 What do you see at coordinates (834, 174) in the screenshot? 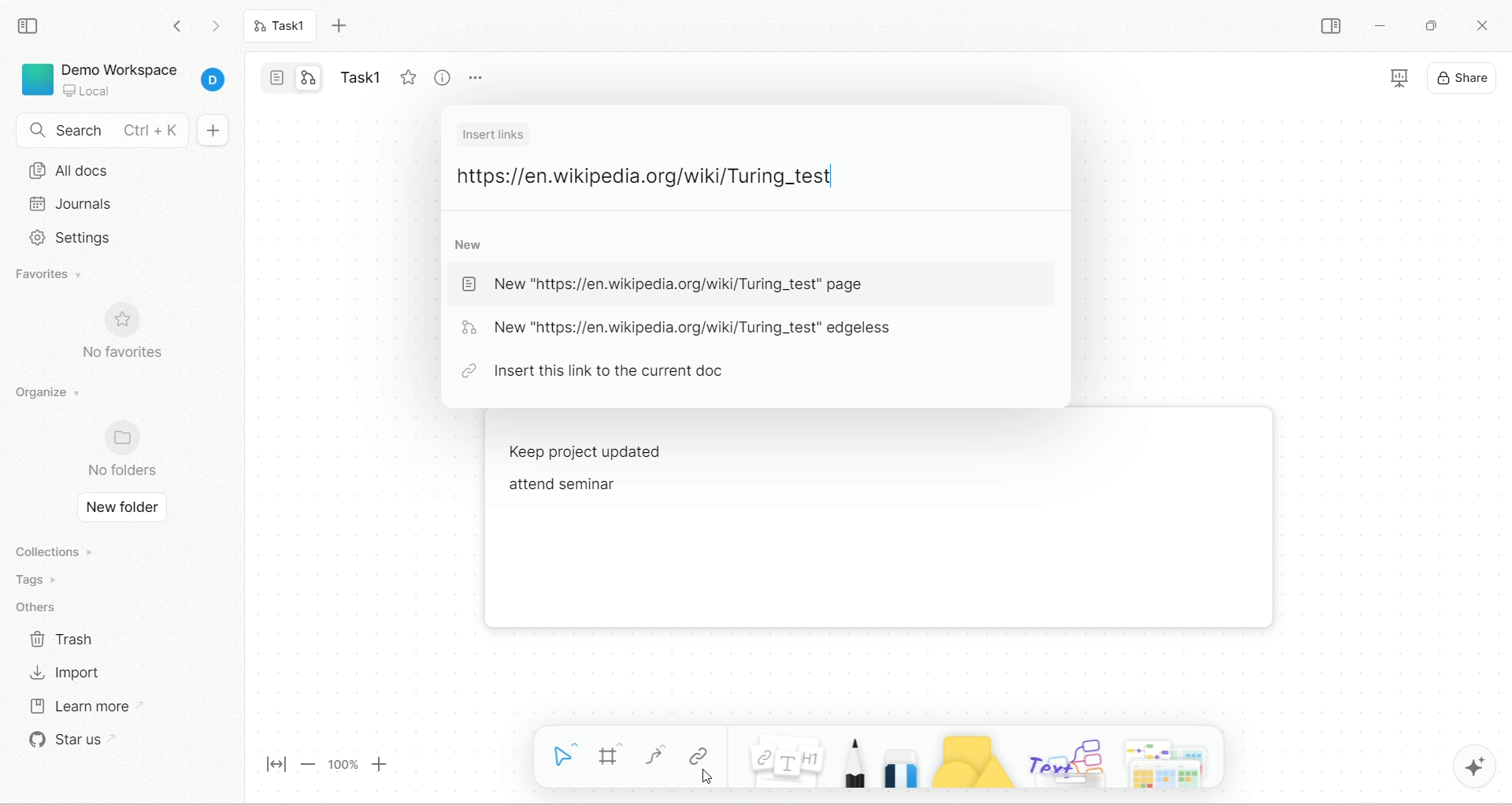
I see `cursor` at bounding box center [834, 174].